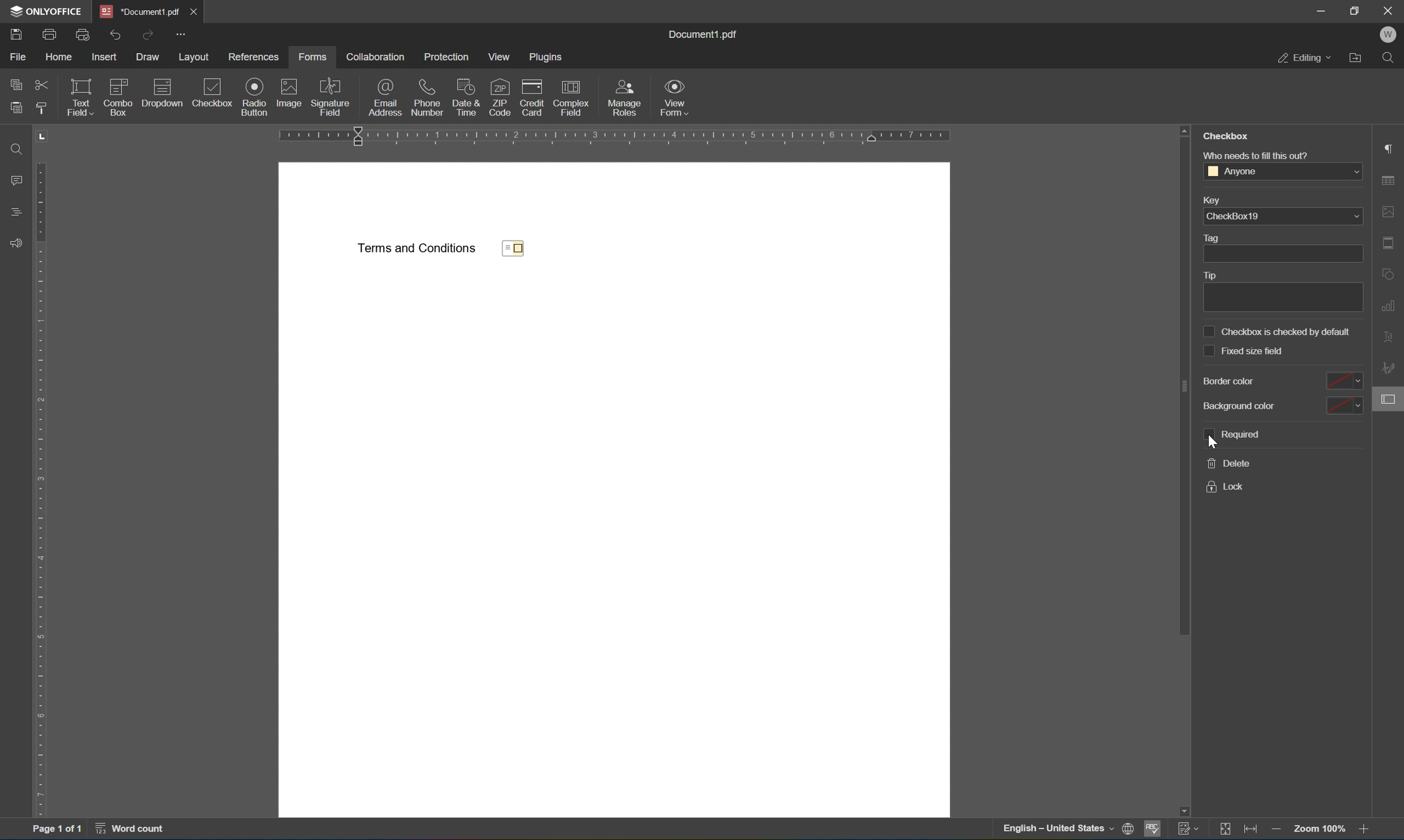  I want to click on English ~ United States, so click(1052, 829).